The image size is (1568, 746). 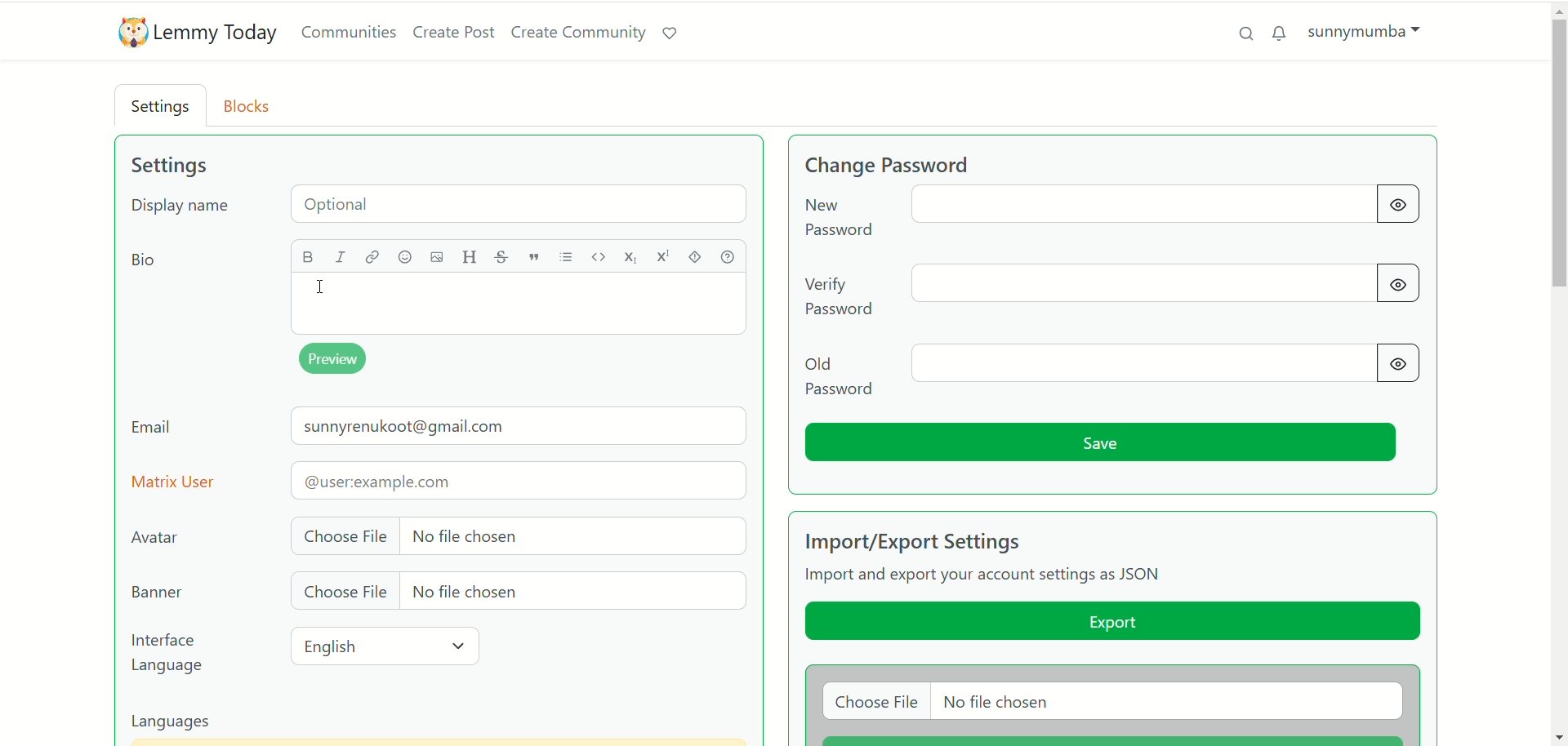 I want to click on create post, so click(x=454, y=34).